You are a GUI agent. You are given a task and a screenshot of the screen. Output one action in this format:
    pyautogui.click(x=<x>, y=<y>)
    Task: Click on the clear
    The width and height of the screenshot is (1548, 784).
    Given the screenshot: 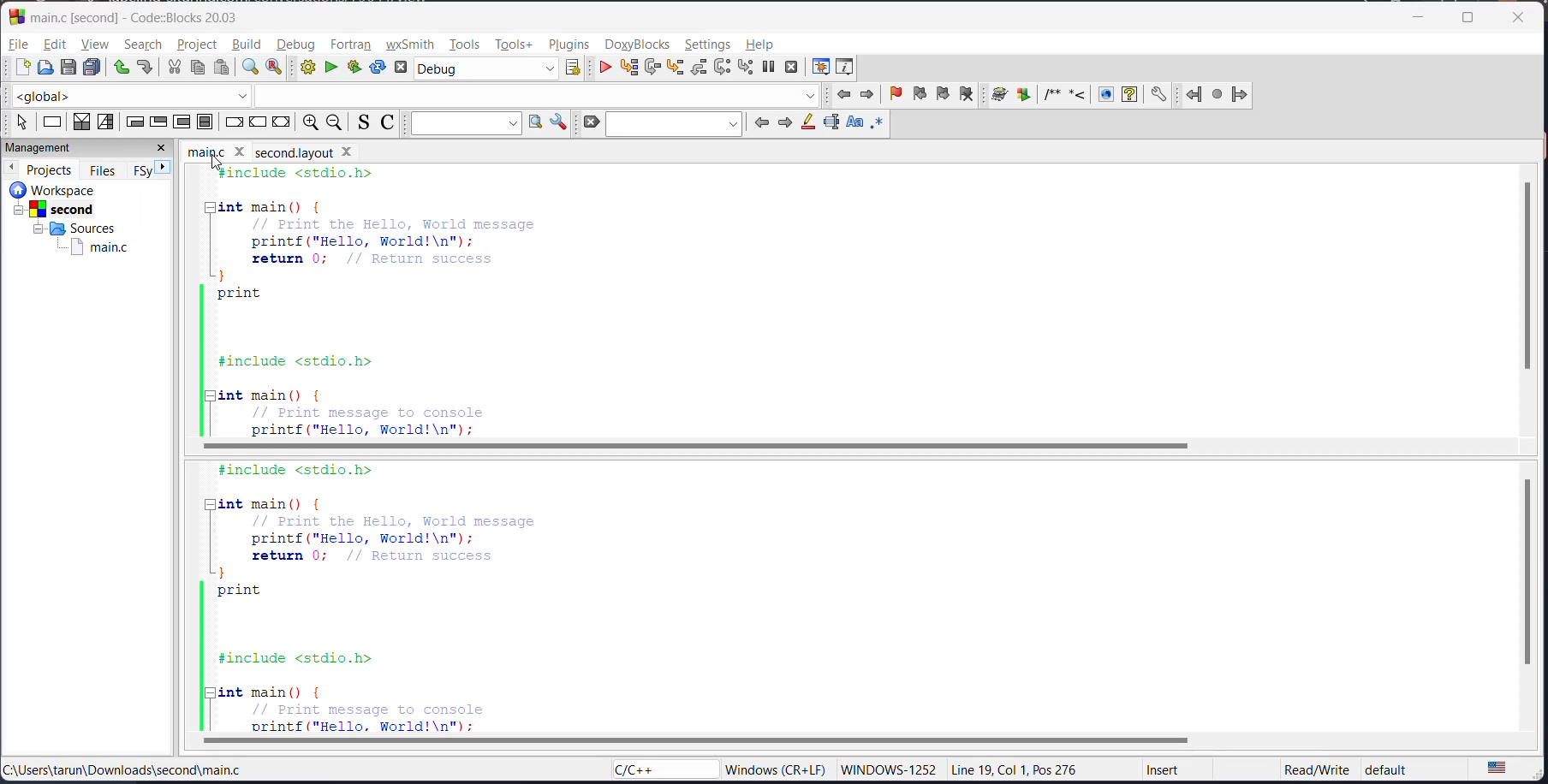 What is the action you would take?
    pyautogui.click(x=588, y=122)
    